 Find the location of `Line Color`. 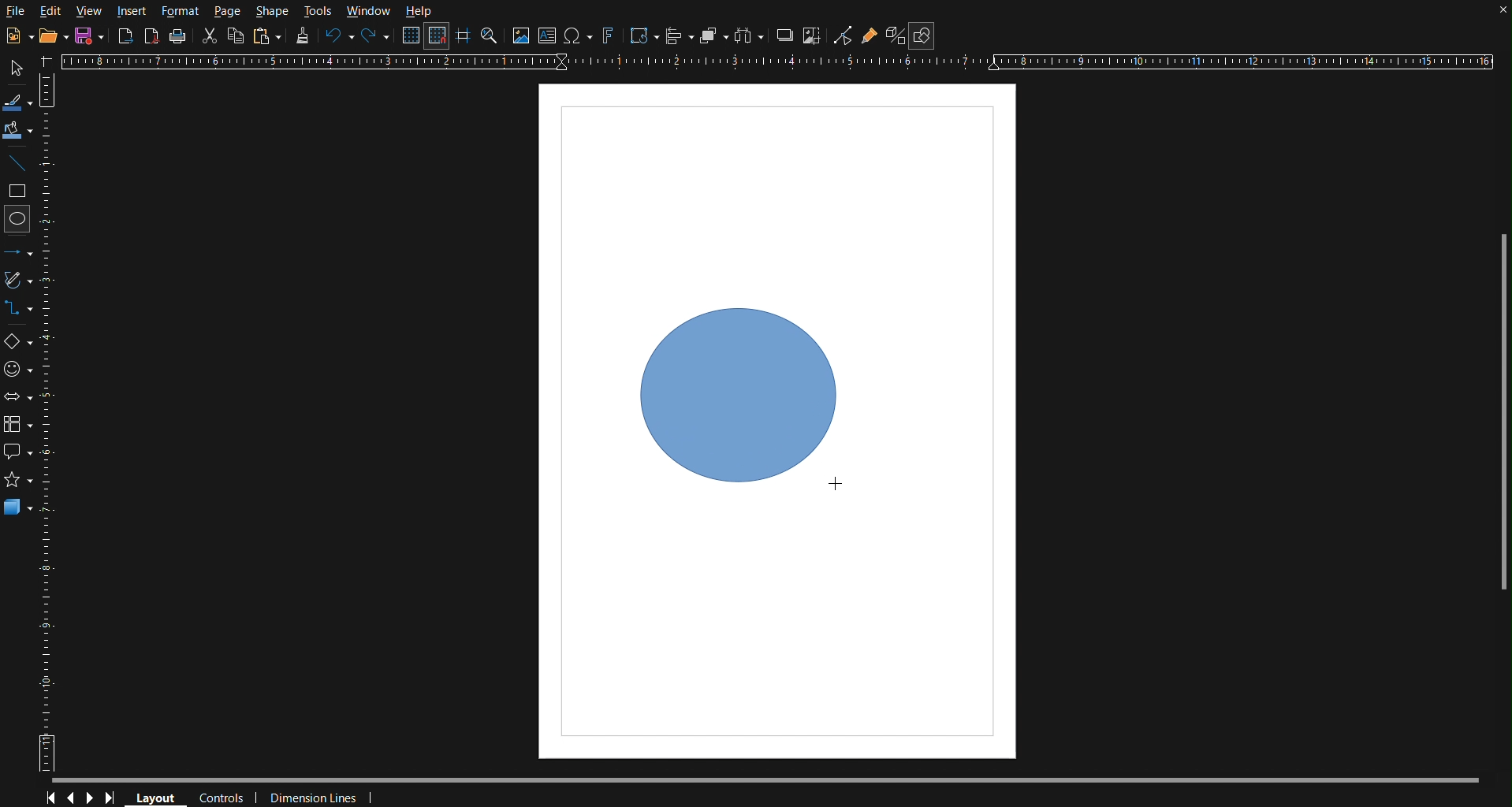

Line Color is located at coordinates (20, 101).